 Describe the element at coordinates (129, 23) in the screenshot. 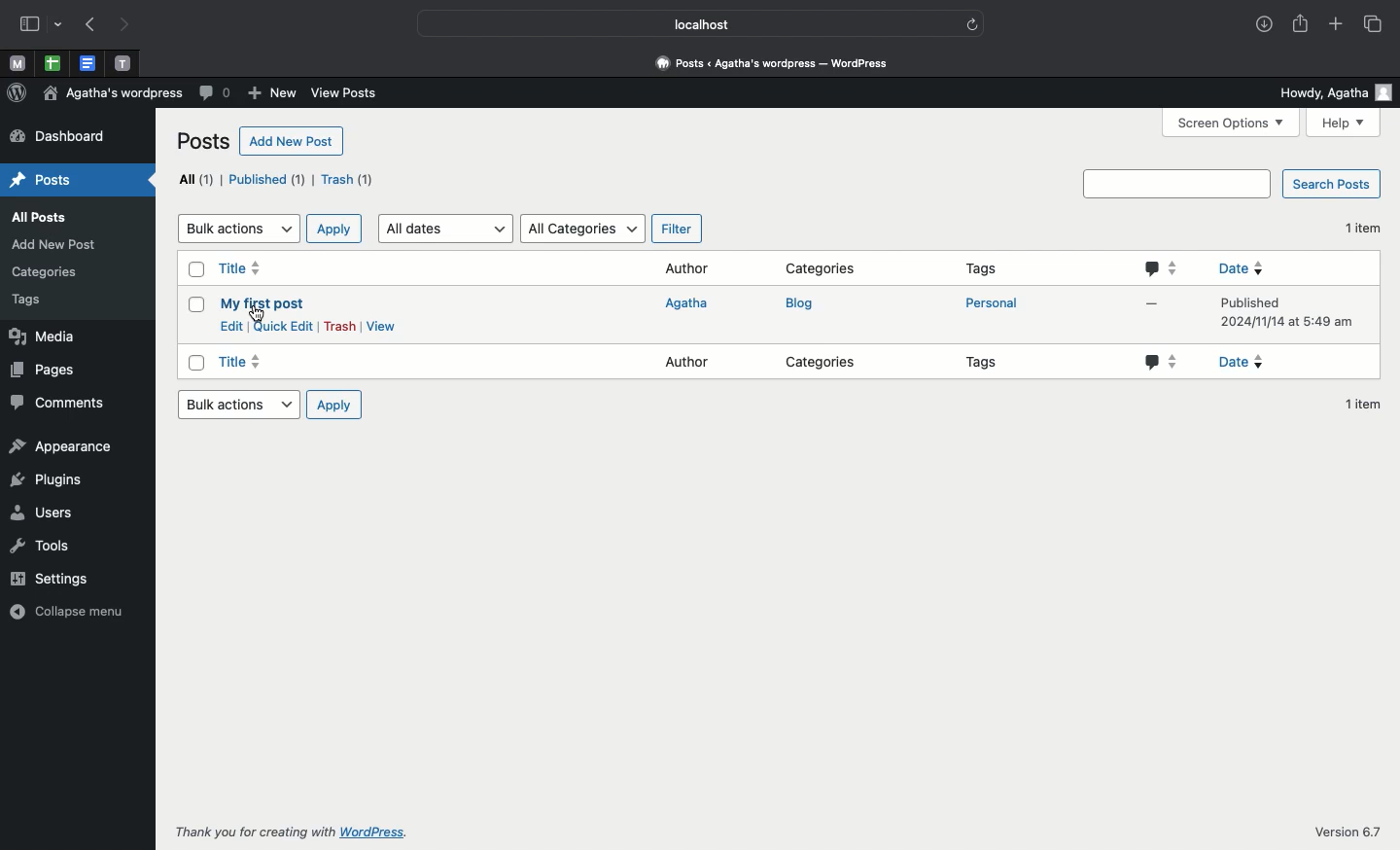

I see `Next page` at that location.